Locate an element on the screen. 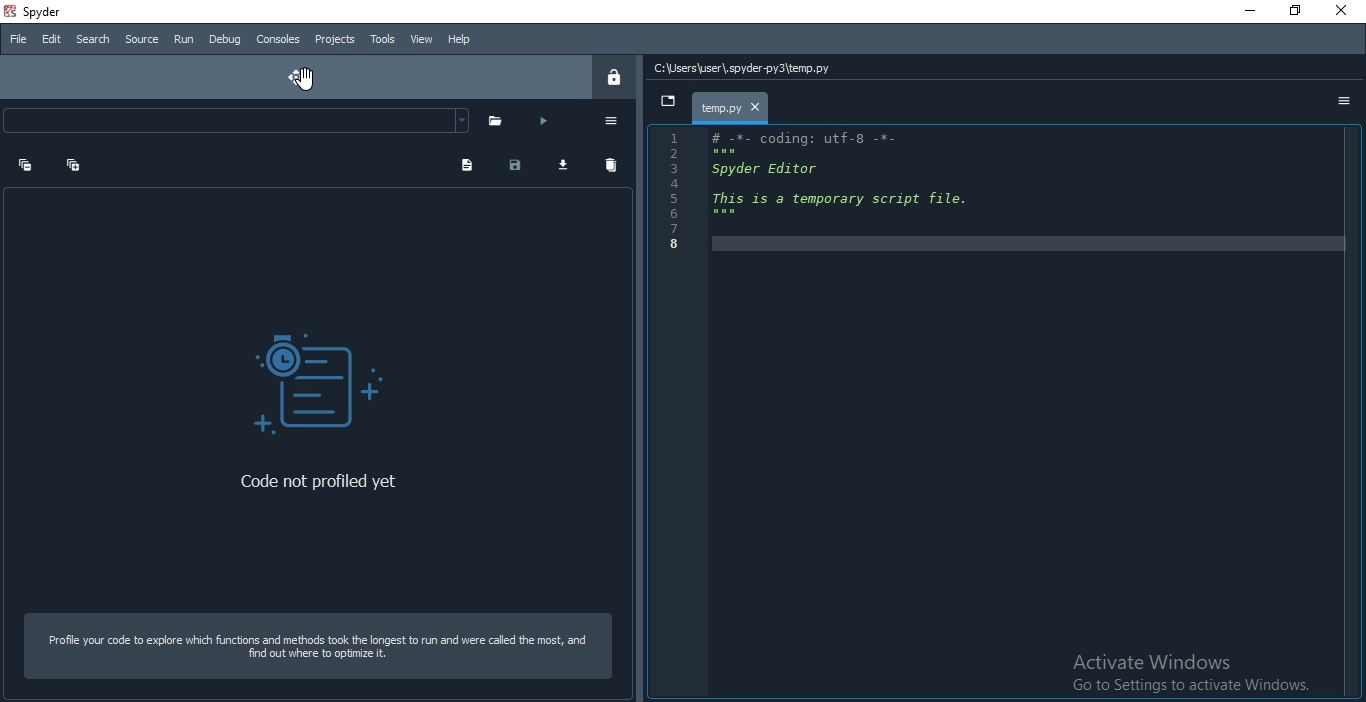  Minimise is located at coordinates (1240, 11).